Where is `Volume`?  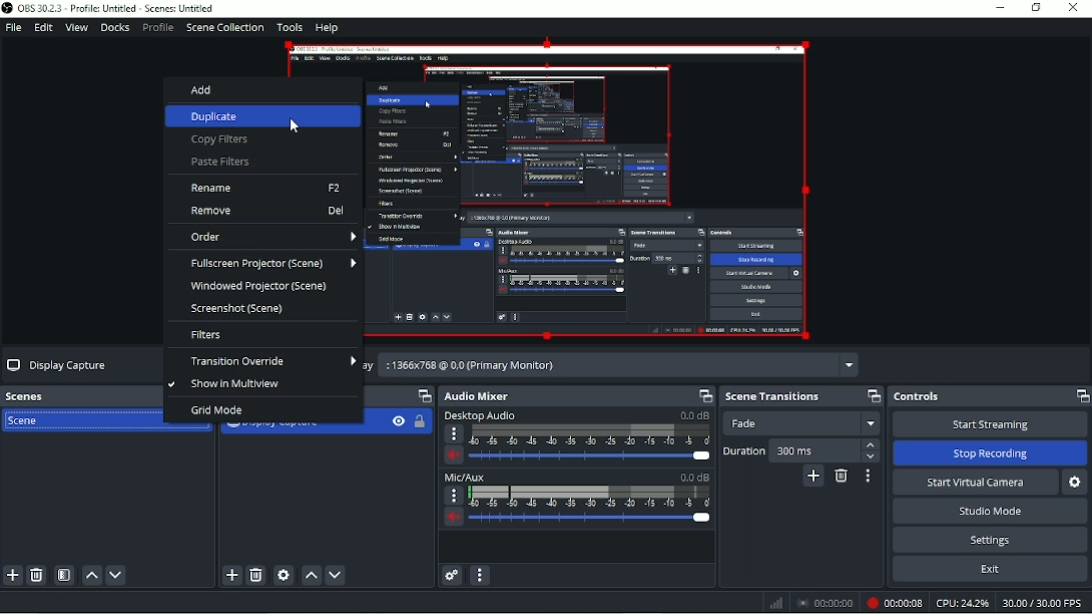
Volume is located at coordinates (453, 519).